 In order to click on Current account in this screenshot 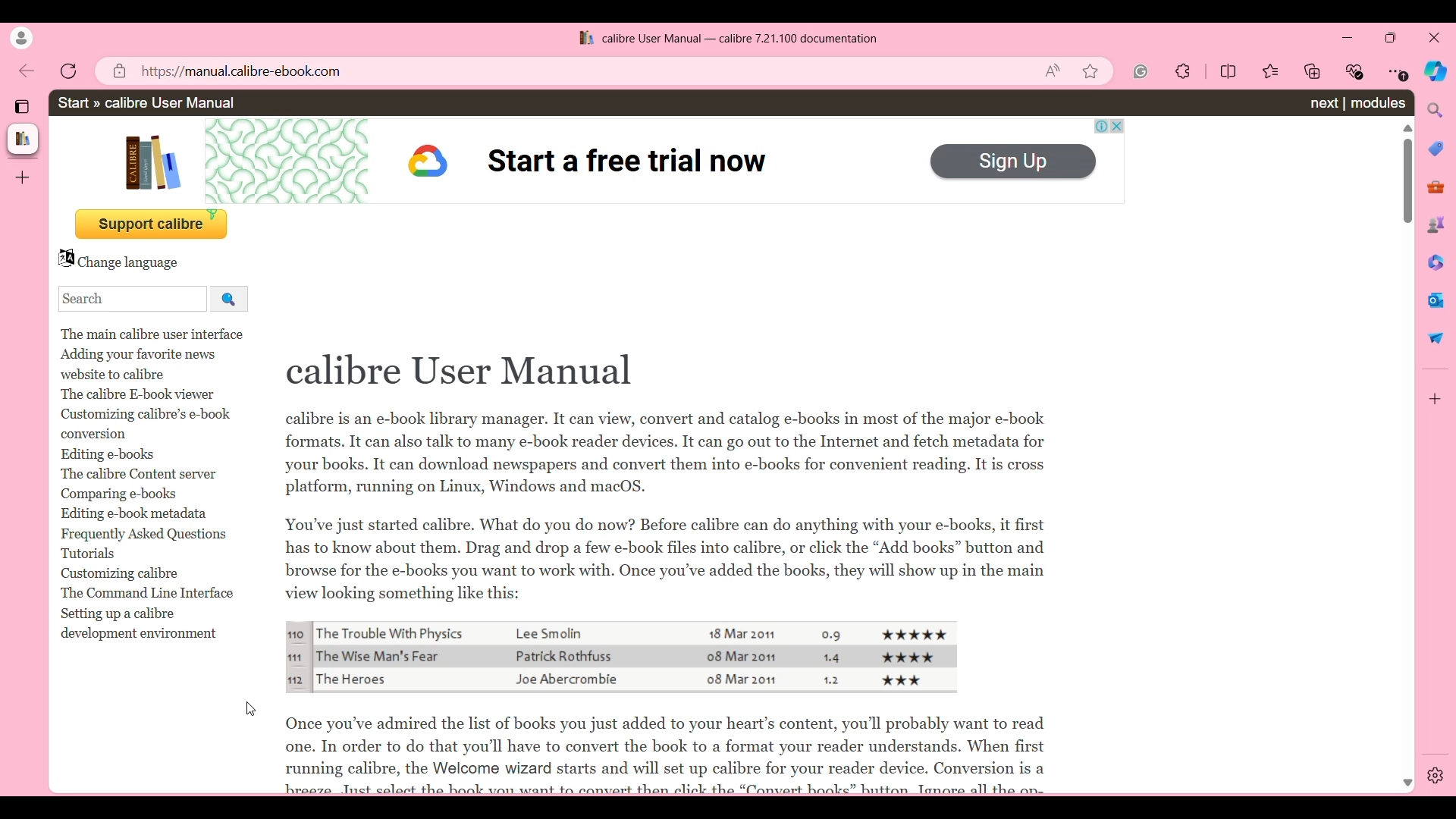, I will do `click(23, 38)`.